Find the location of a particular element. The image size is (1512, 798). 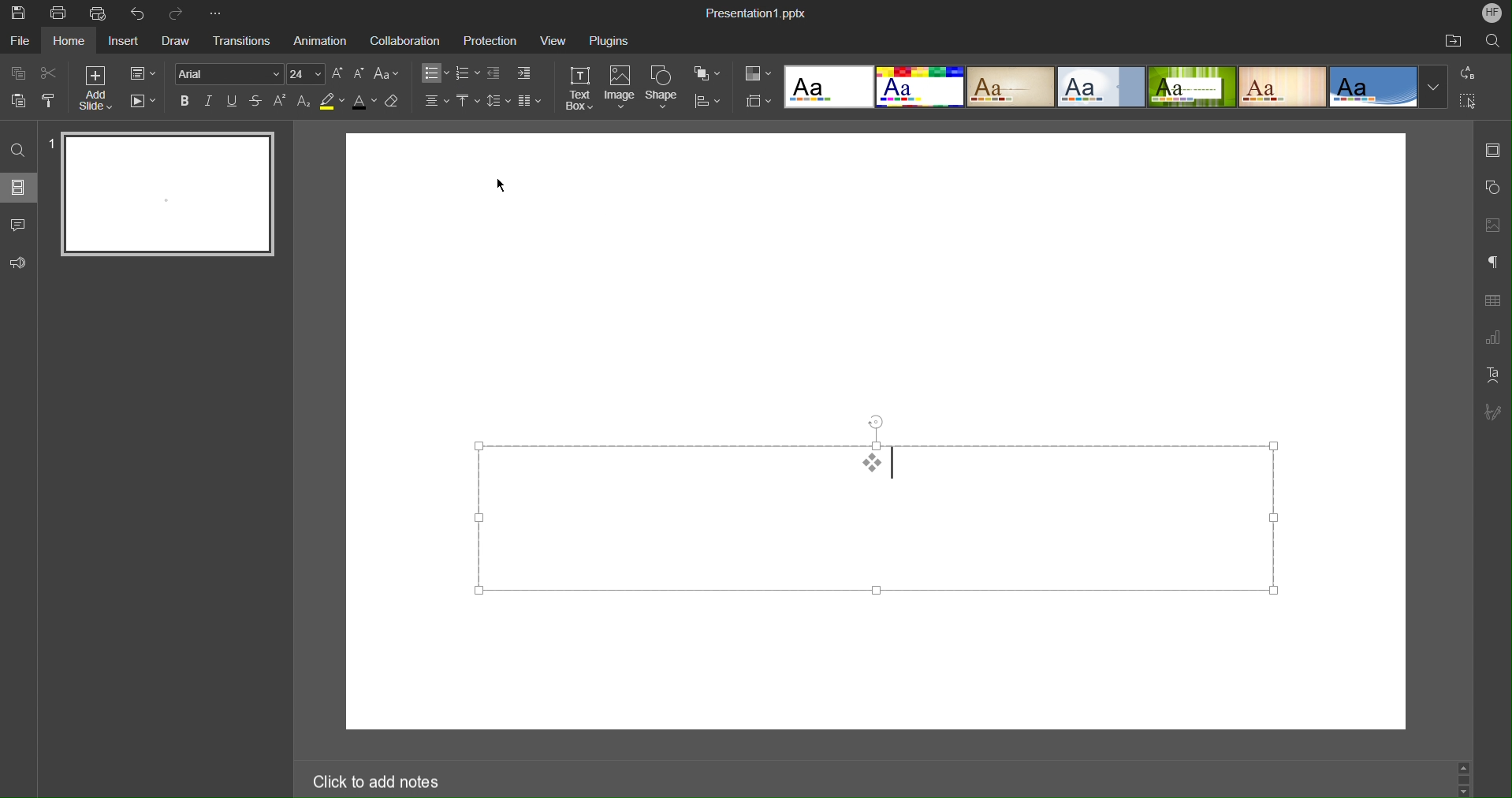

Transitions is located at coordinates (238, 41).